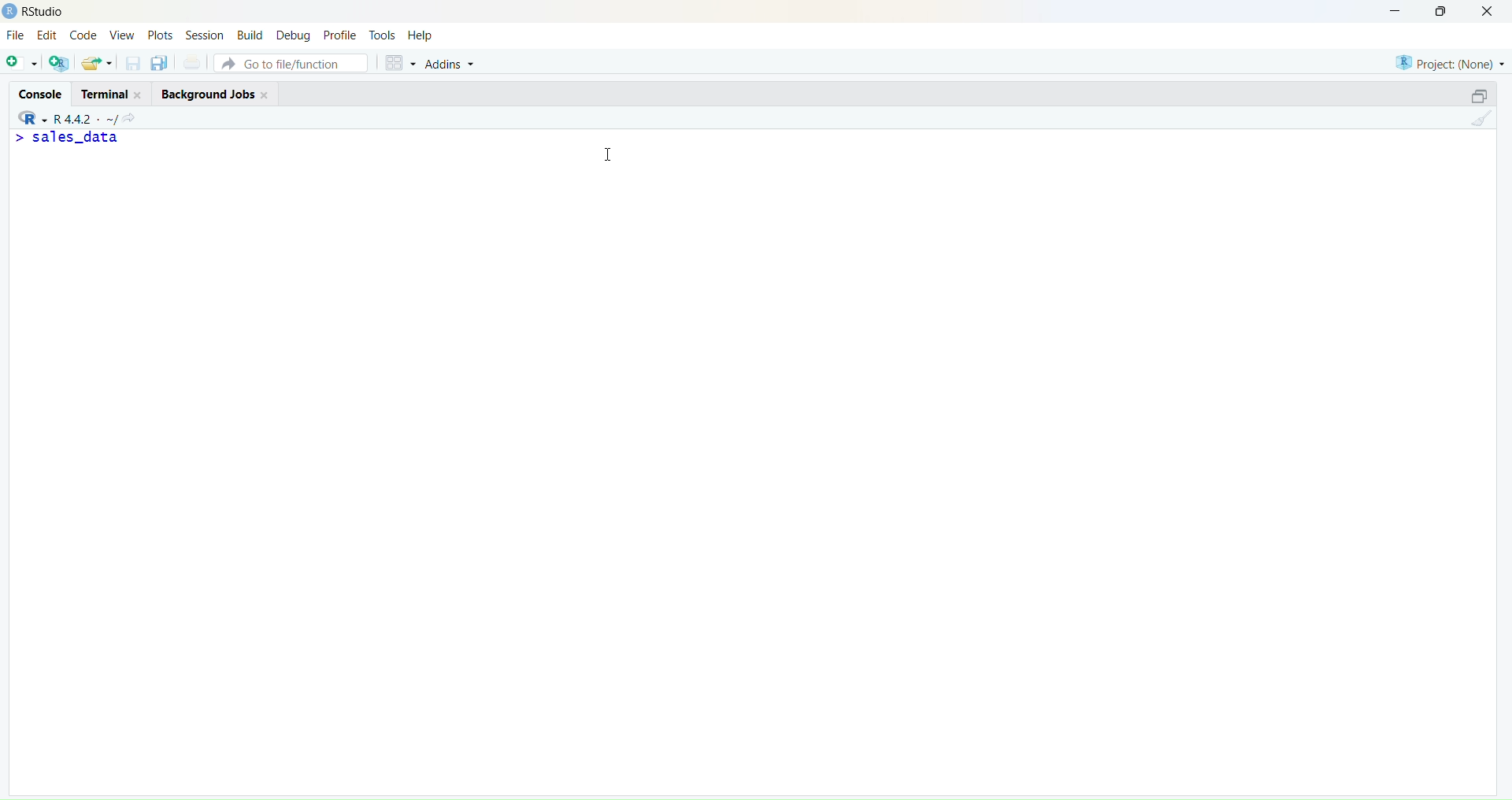 This screenshot has height=800, width=1512. I want to click on save, so click(132, 67).